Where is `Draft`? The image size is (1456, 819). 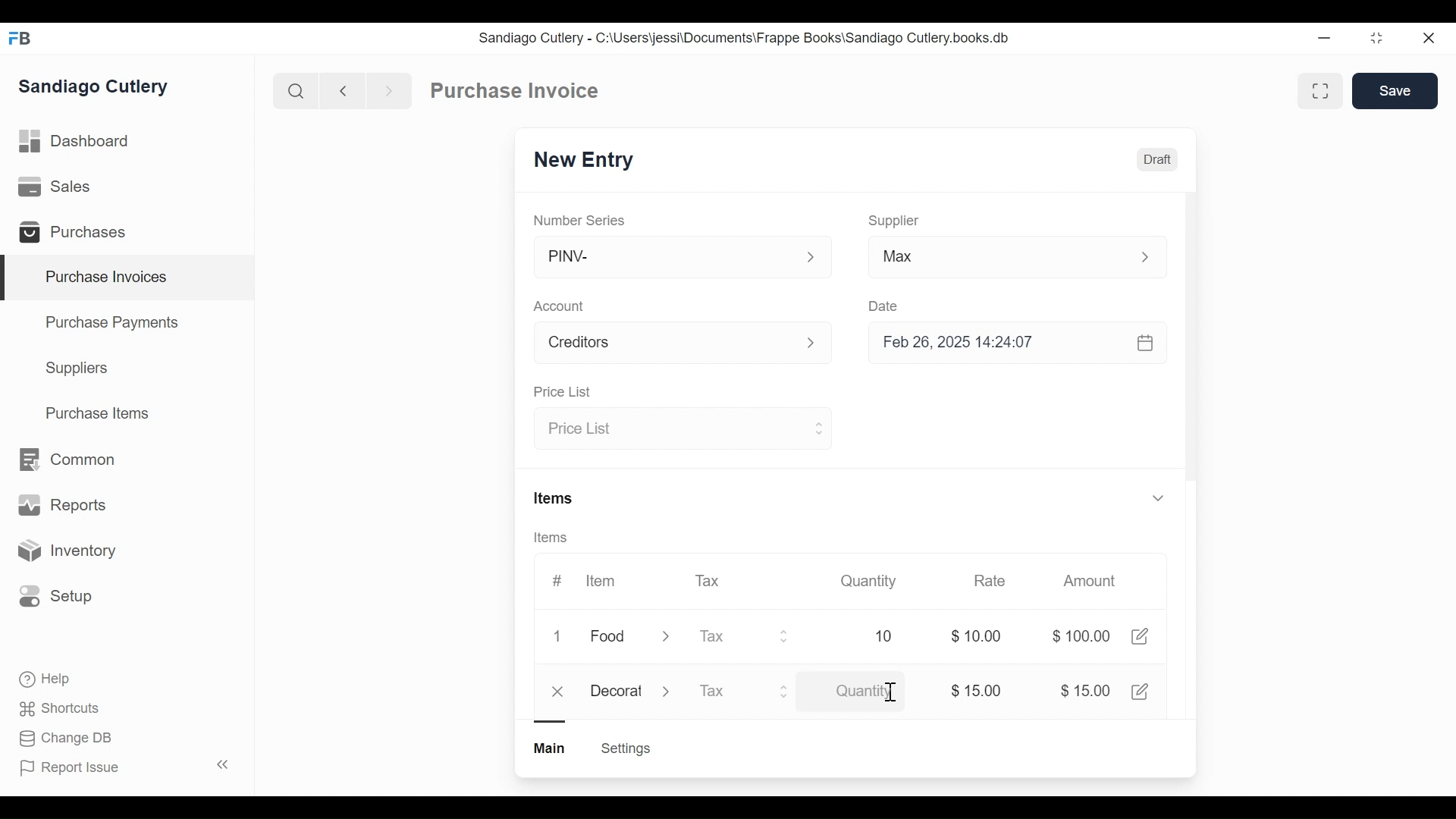
Draft is located at coordinates (1158, 162).